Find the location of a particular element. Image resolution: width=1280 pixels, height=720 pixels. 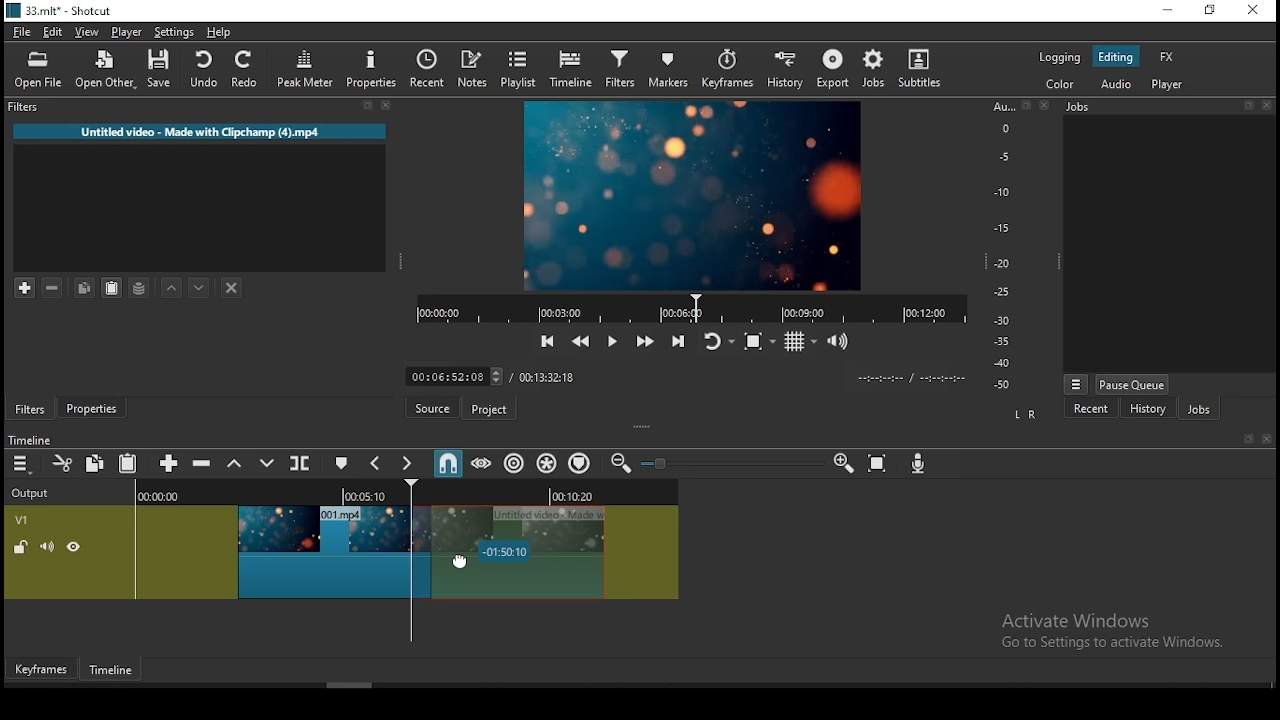

snap is located at coordinates (451, 464).